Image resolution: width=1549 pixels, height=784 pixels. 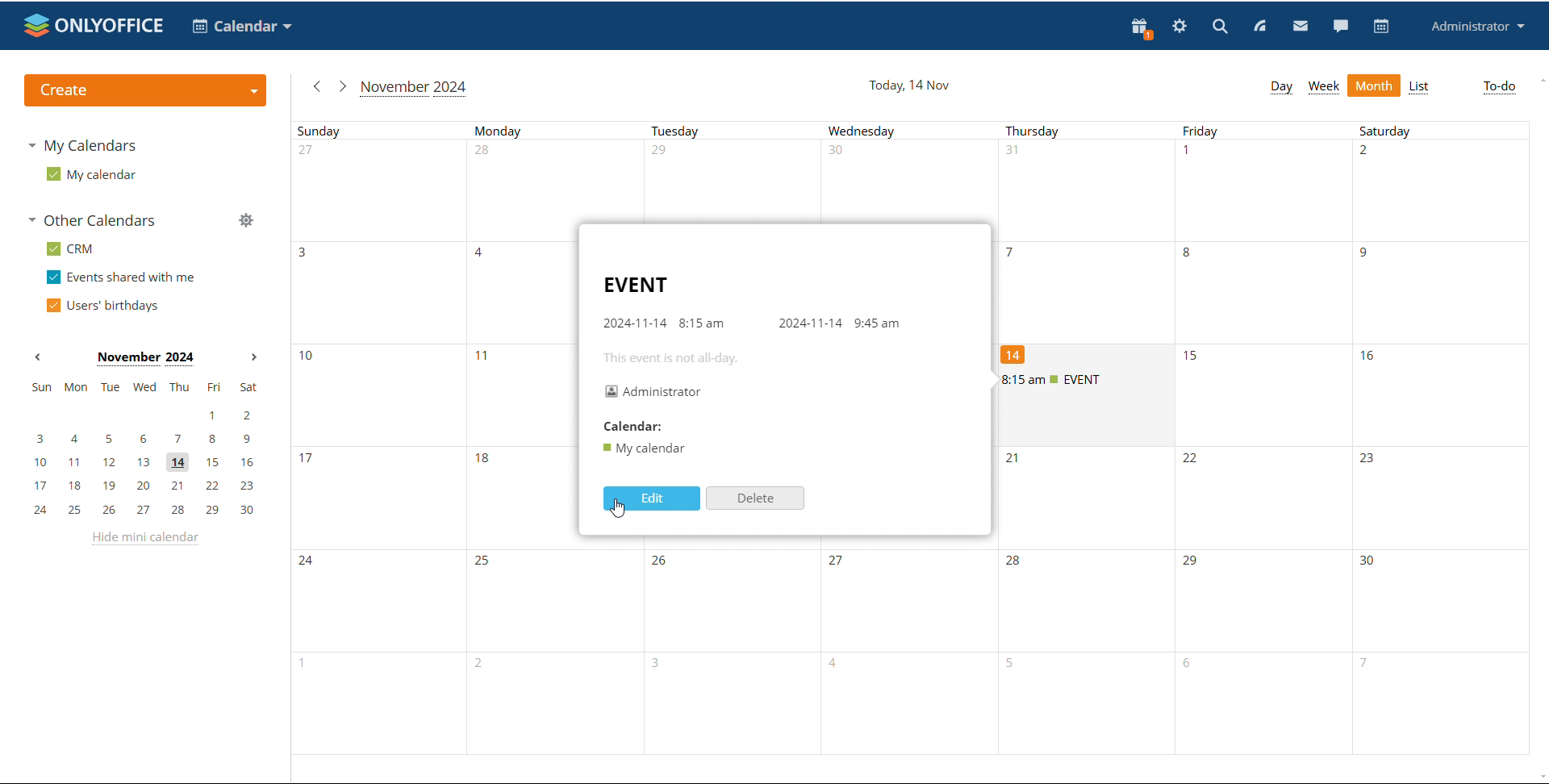 I want to click on crm, so click(x=70, y=250).